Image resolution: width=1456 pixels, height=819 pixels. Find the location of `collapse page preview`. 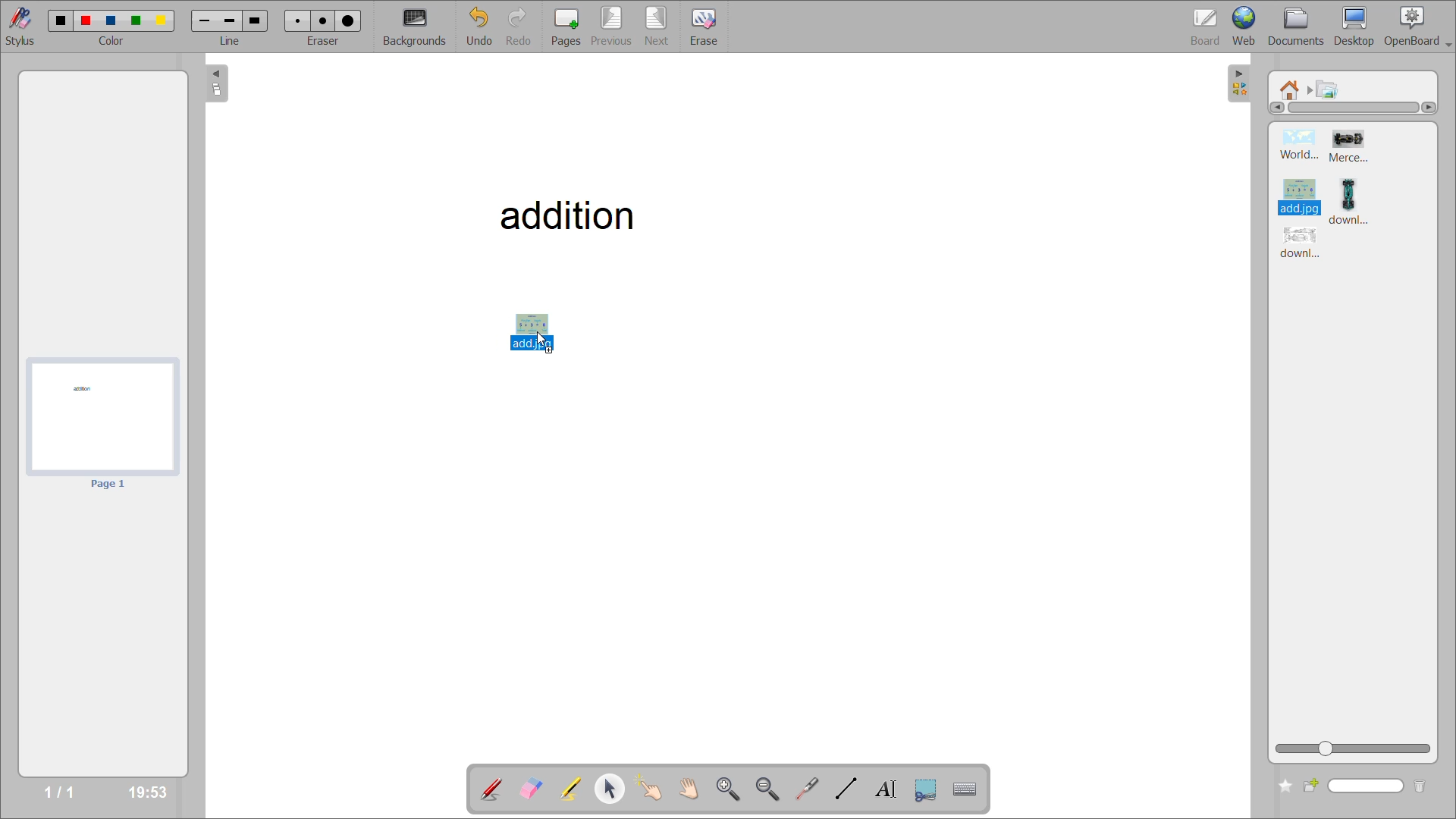

collapse page preview is located at coordinates (218, 83).